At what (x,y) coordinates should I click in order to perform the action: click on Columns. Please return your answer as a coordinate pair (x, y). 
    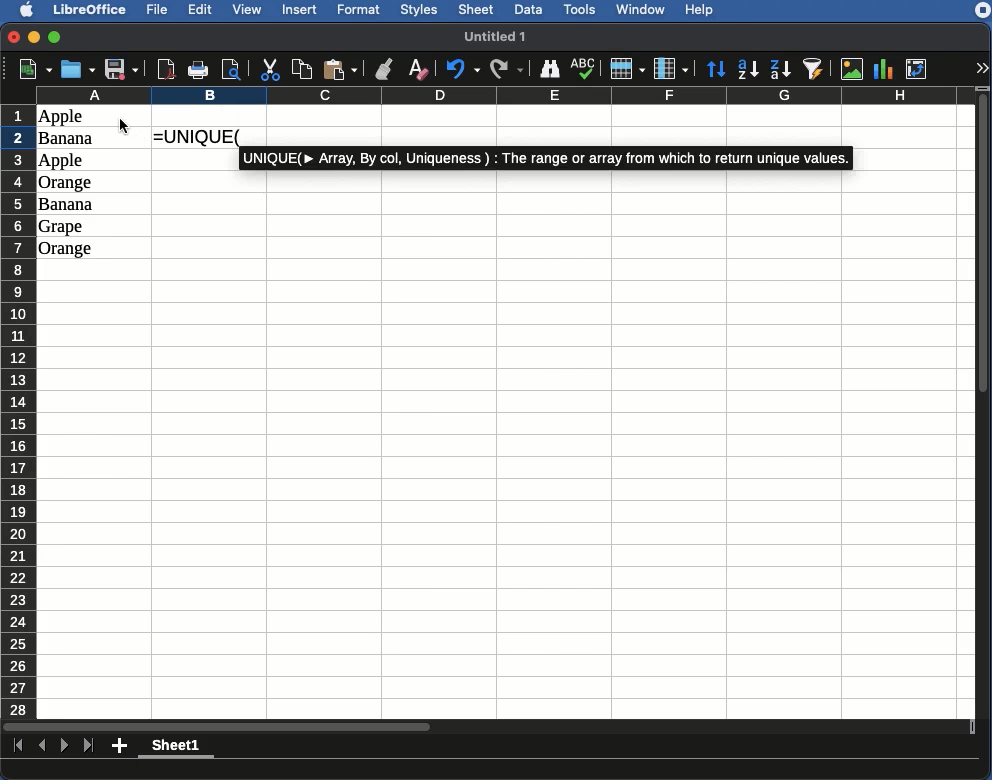
    Looking at the image, I should click on (502, 95).